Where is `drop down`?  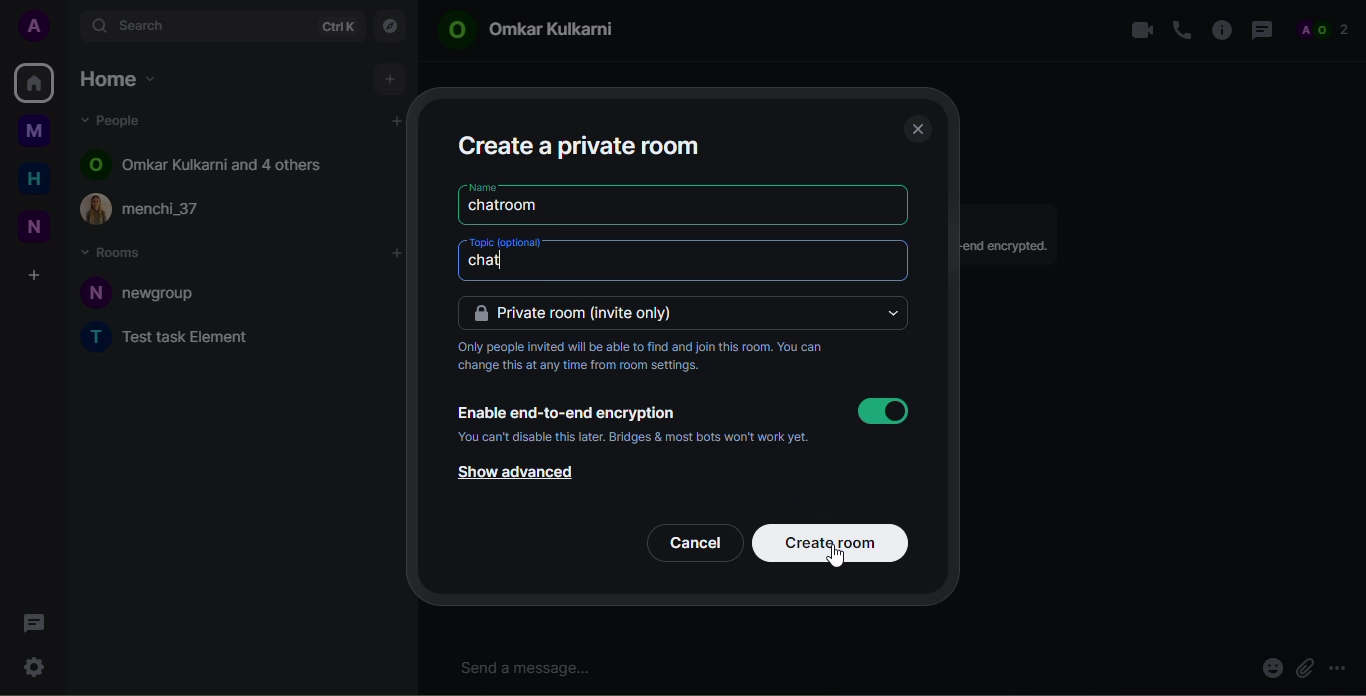
drop down is located at coordinates (891, 313).